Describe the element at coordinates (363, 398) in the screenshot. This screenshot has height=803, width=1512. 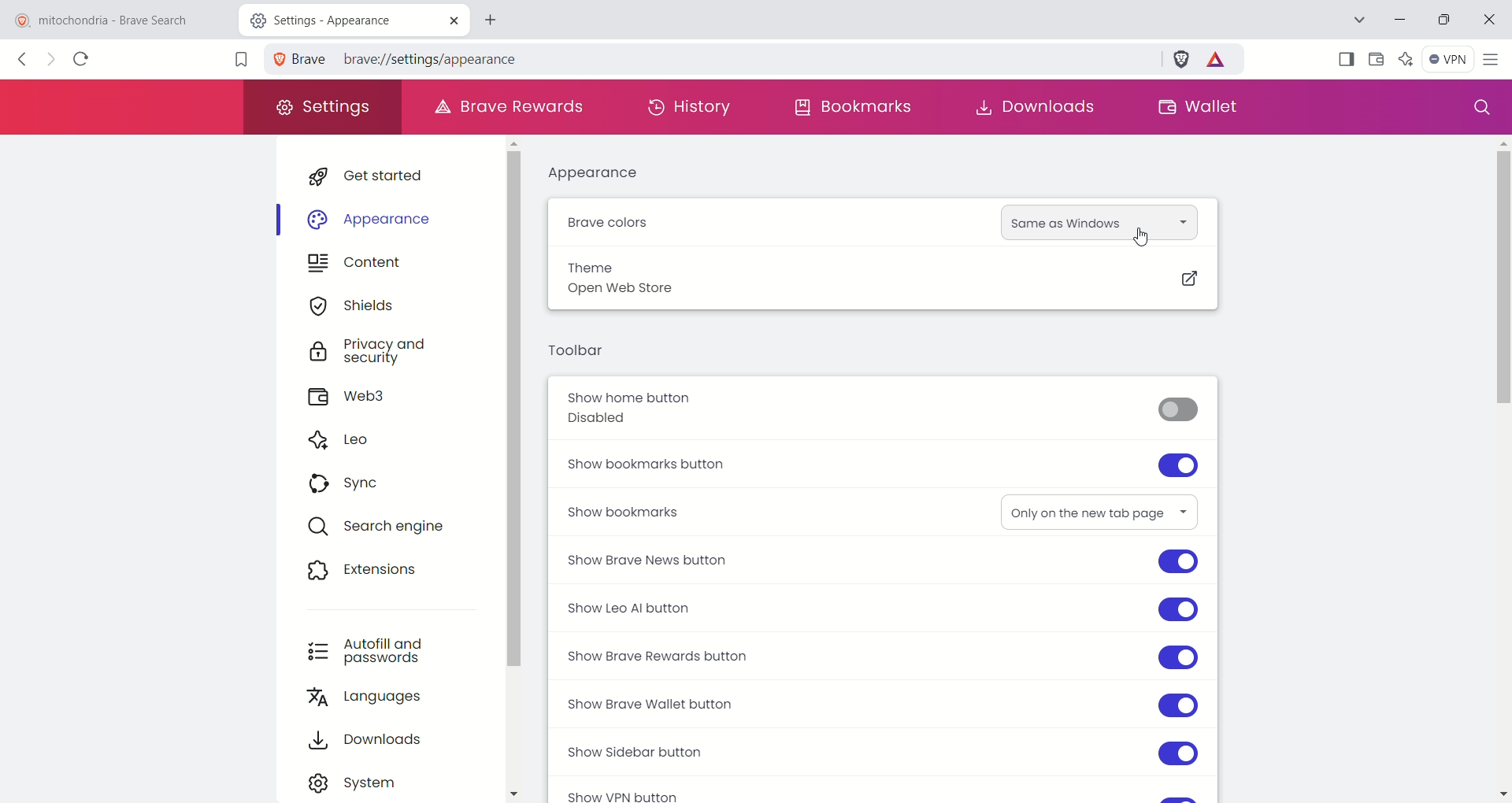
I see `web3` at that location.